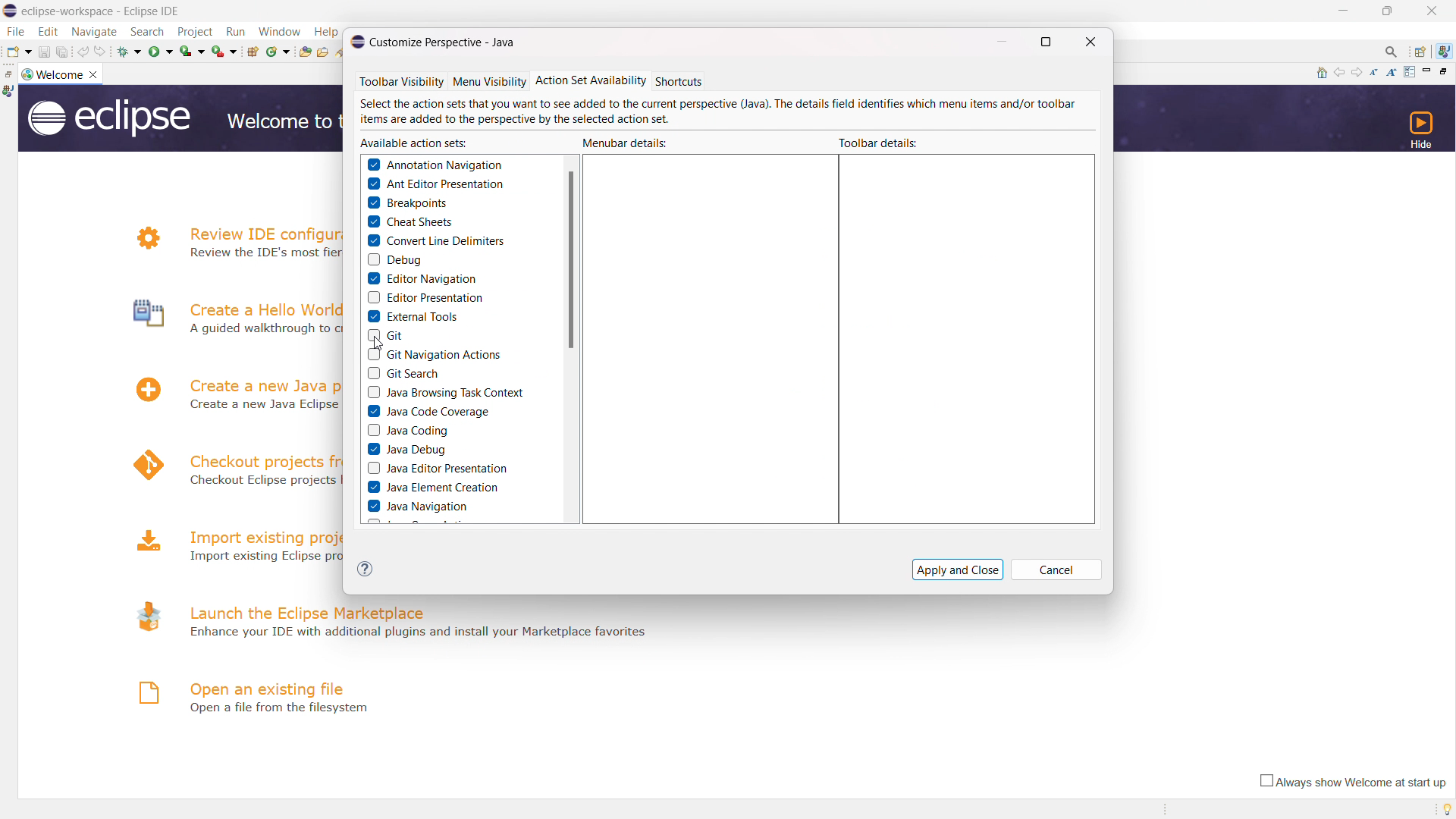 Image resolution: width=1456 pixels, height=819 pixels. Describe the element at coordinates (881, 141) in the screenshot. I see `toolbat details` at that location.